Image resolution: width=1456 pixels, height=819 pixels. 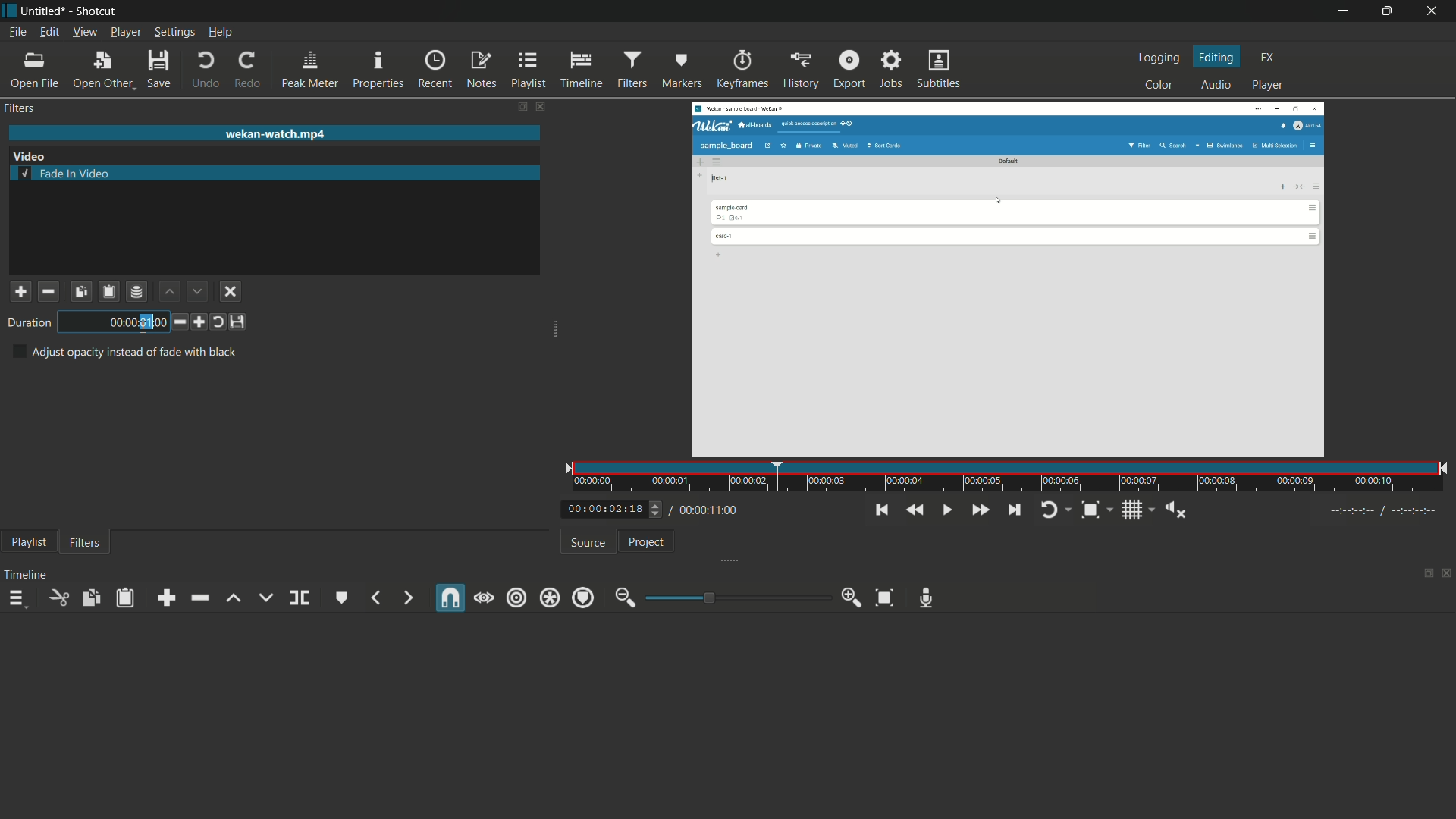 I want to click on split at playhead, so click(x=300, y=598).